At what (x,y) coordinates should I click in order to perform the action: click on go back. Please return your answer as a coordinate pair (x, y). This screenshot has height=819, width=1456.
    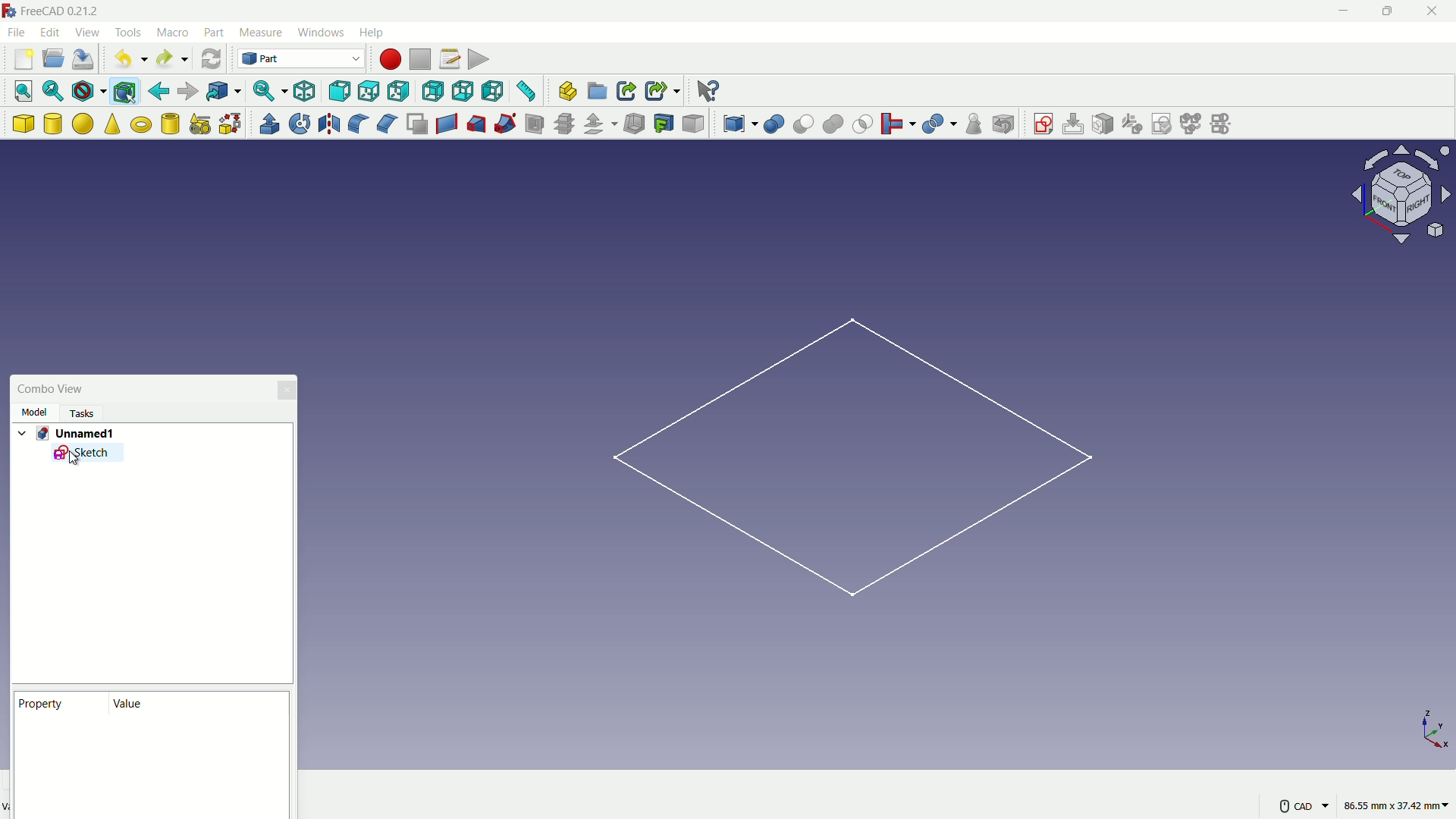
    Looking at the image, I should click on (159, 92).